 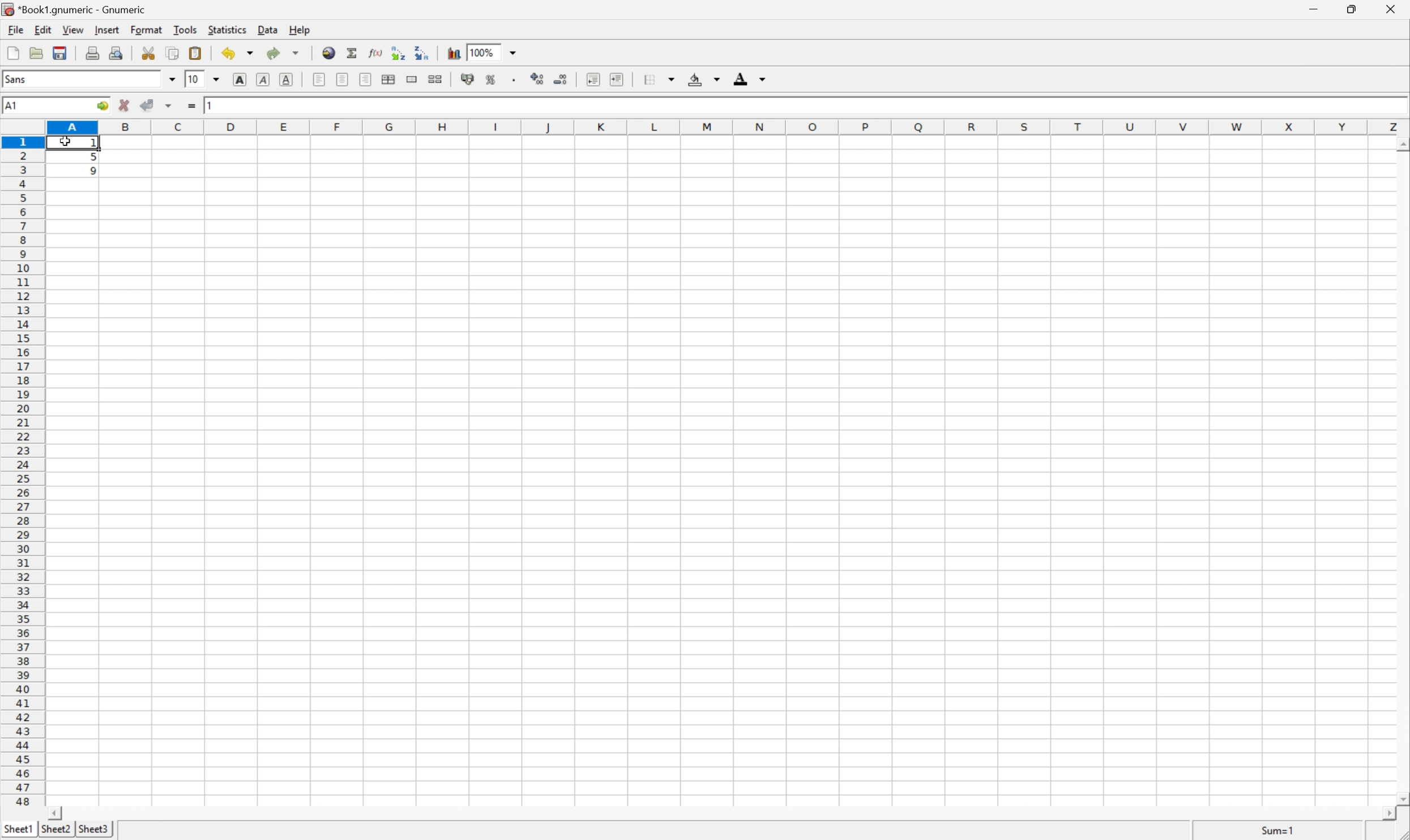 What do you see at coordinates (1388, 814) in the screenshot?
I see `scroll right` at bounding box center [1388, 814].